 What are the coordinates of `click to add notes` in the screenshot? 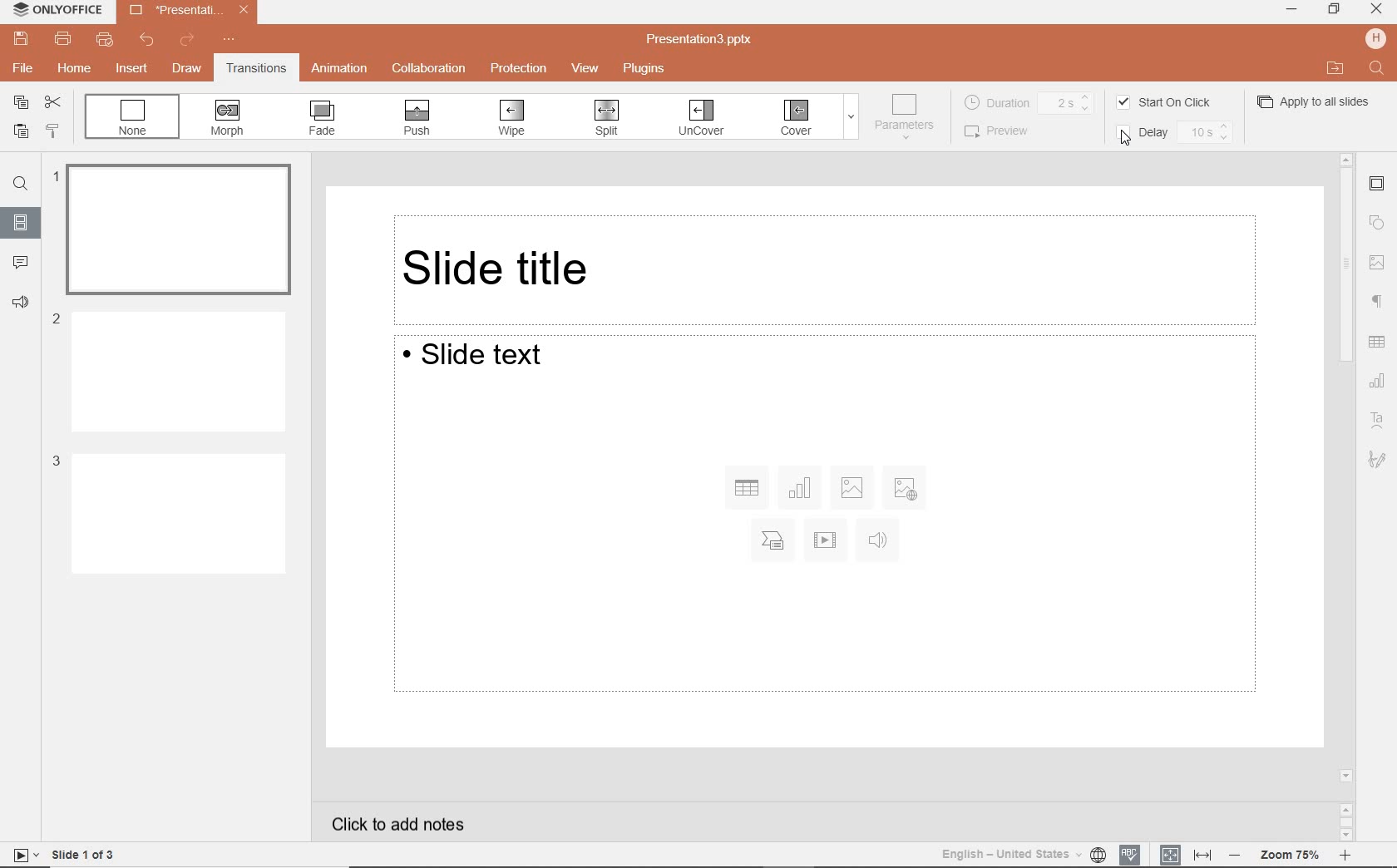 It's located at (405, 823).